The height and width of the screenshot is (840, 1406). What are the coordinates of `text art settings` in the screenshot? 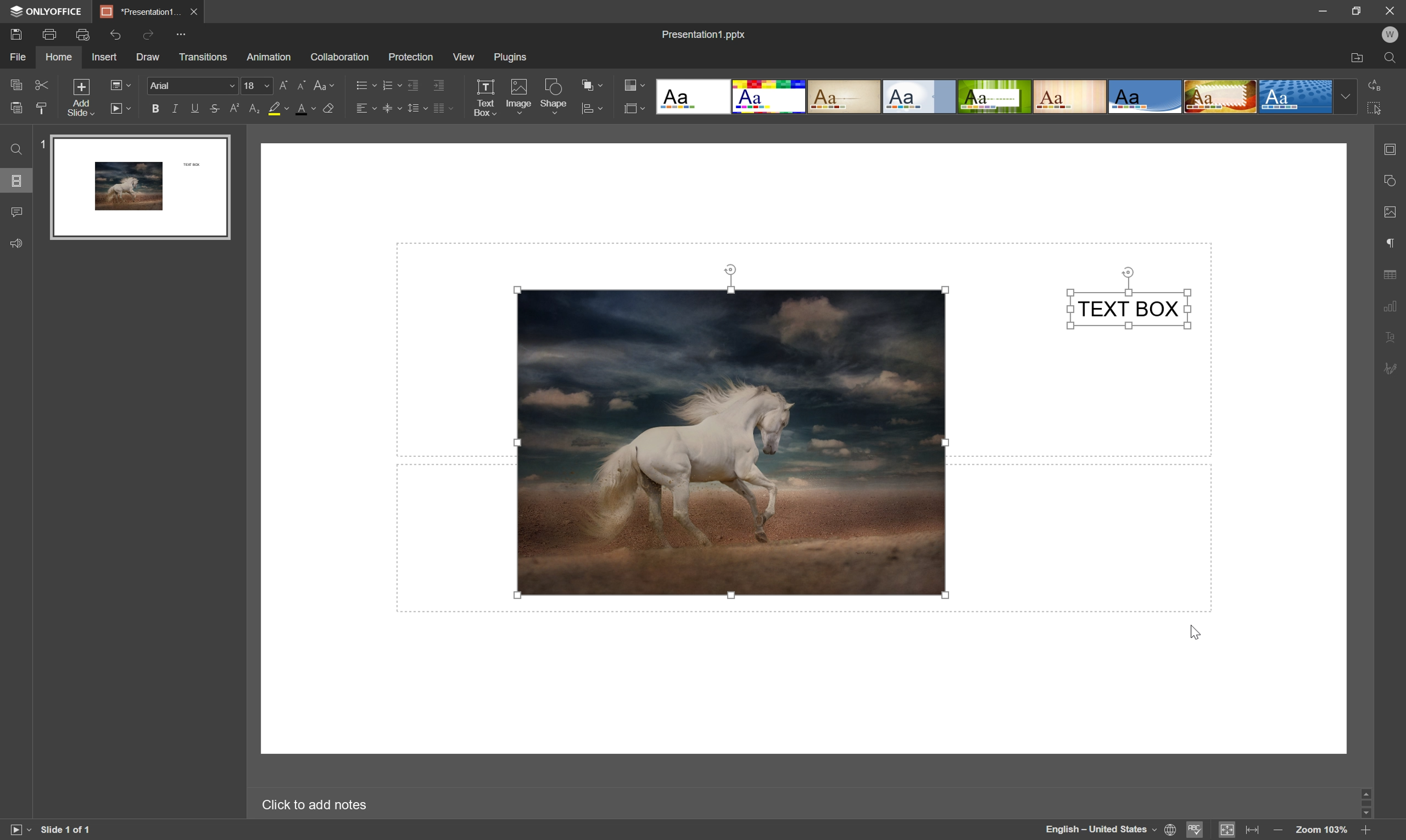 It's located at (1388, 336).